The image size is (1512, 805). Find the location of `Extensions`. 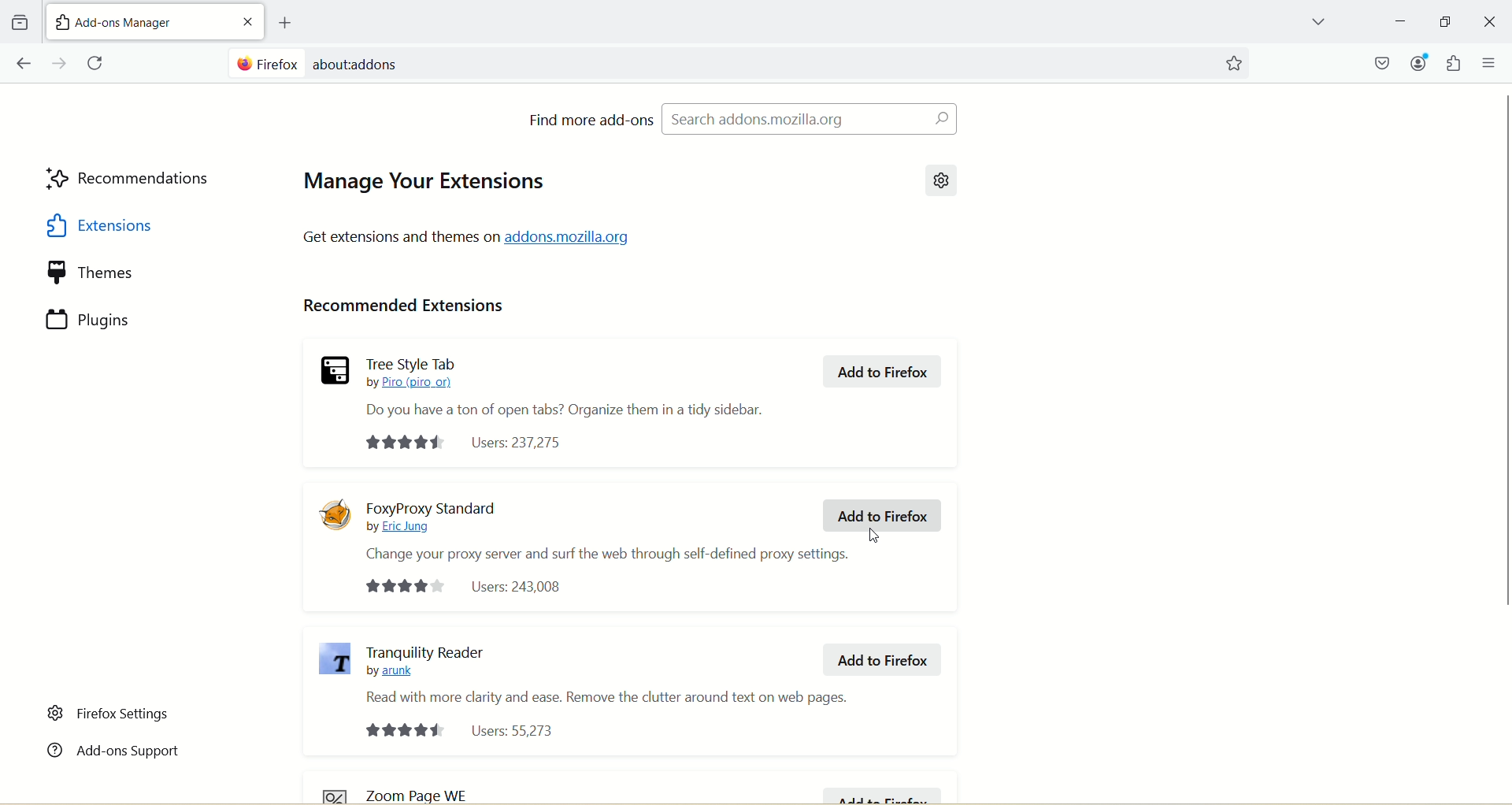

Extensions is located at coordinates (132, 225).